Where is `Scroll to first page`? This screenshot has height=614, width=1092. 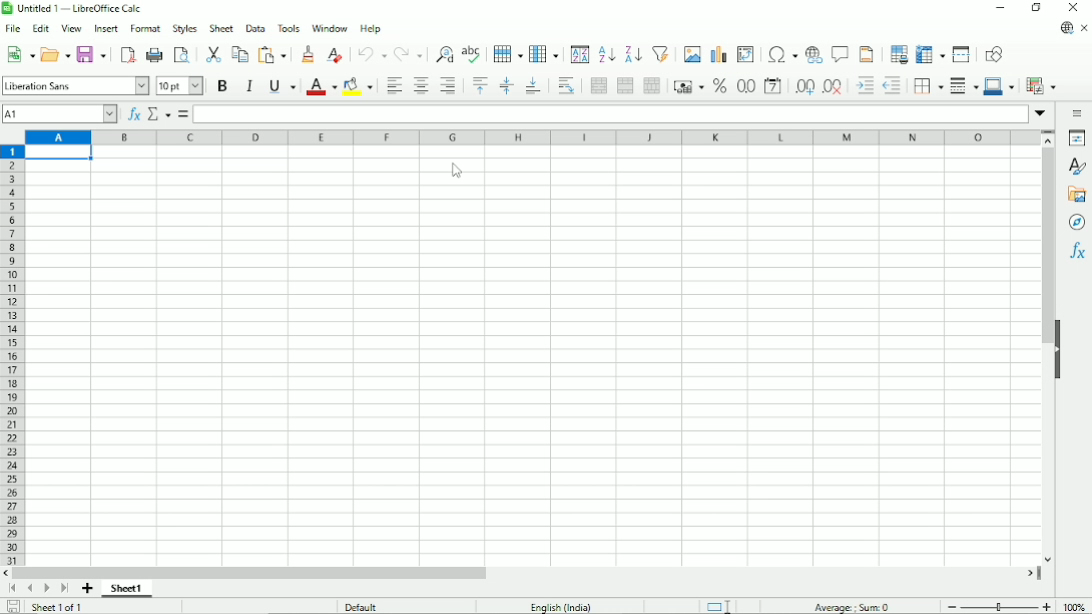 Scroll to first page is located at coordinates (12, 588).